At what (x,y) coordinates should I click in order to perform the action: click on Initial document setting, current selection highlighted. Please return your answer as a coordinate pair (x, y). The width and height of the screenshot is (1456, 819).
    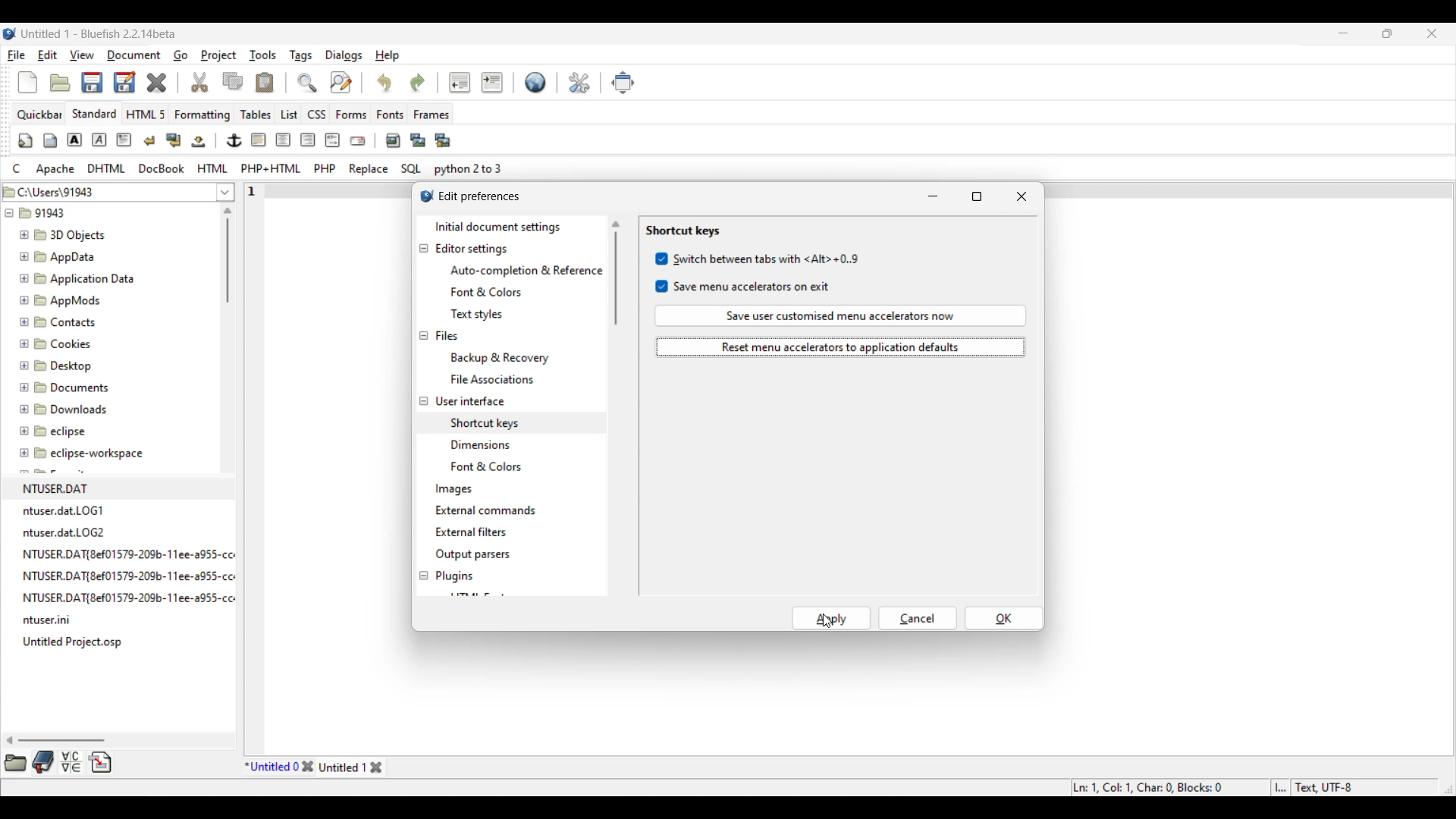
    Looking at the image, I should click on (510, 227).